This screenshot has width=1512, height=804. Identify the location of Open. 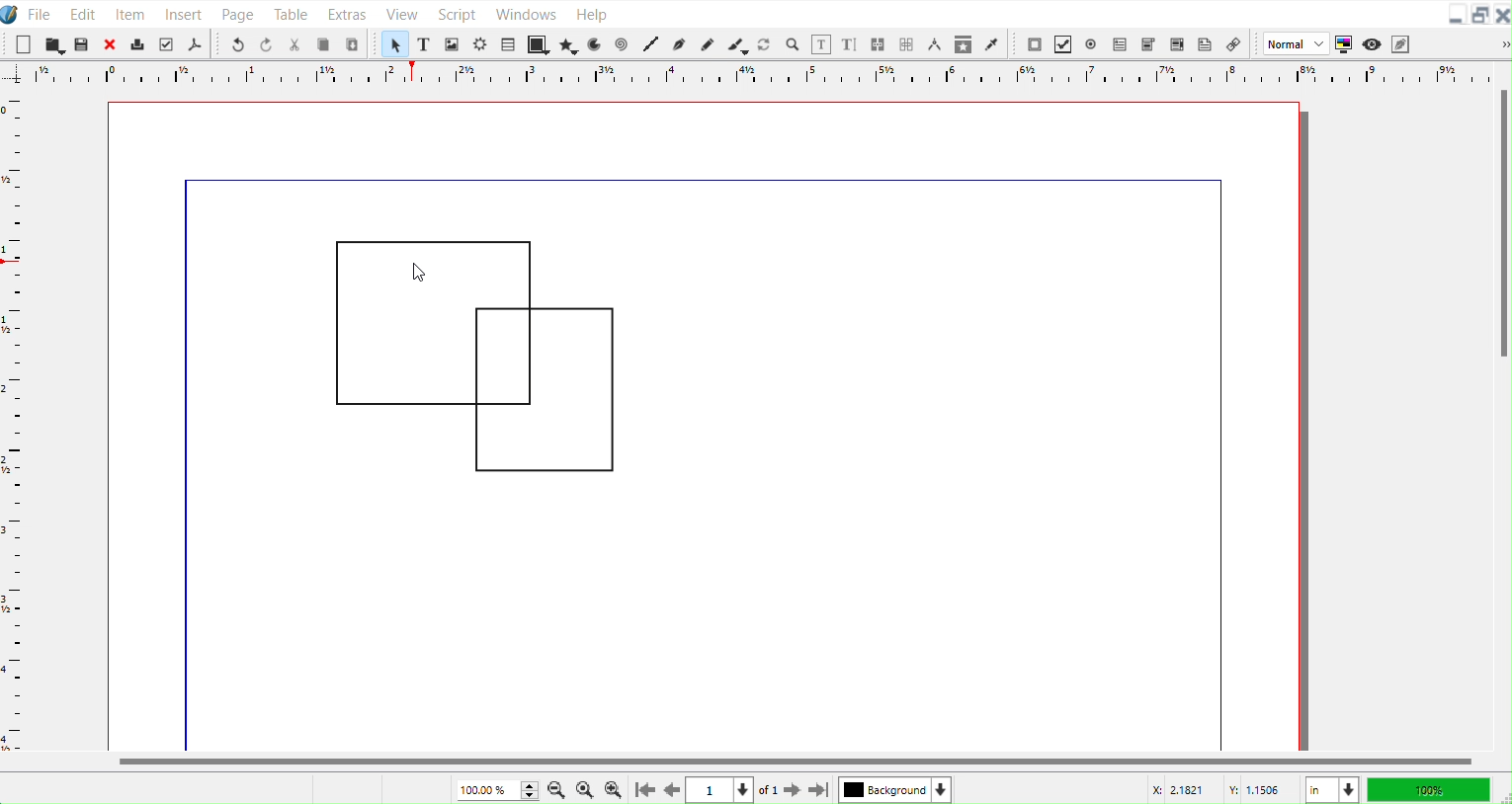
(55, 43).